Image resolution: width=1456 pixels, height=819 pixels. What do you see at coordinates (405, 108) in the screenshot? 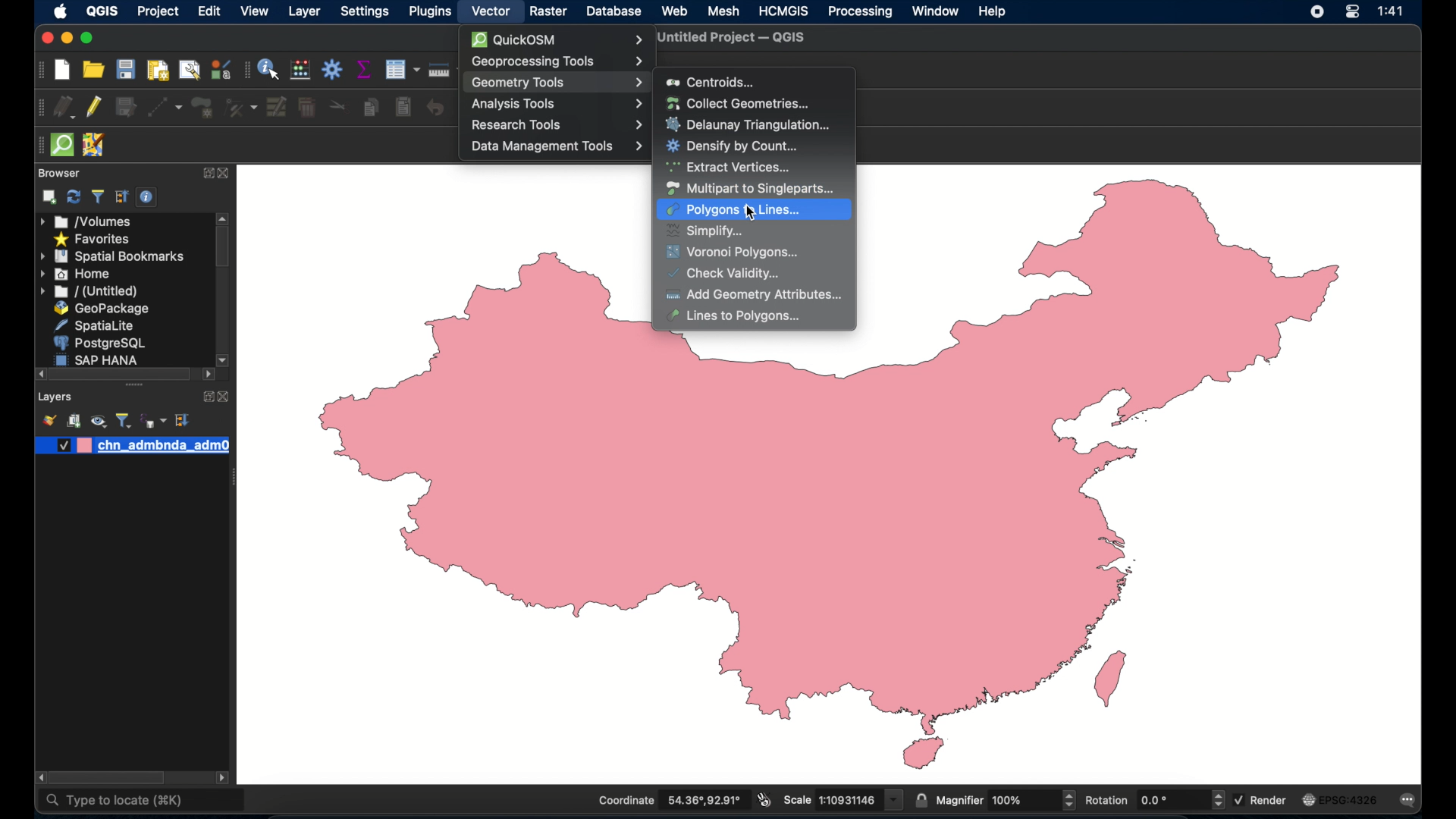
I see `paste features` at bounding box center [405, 108].